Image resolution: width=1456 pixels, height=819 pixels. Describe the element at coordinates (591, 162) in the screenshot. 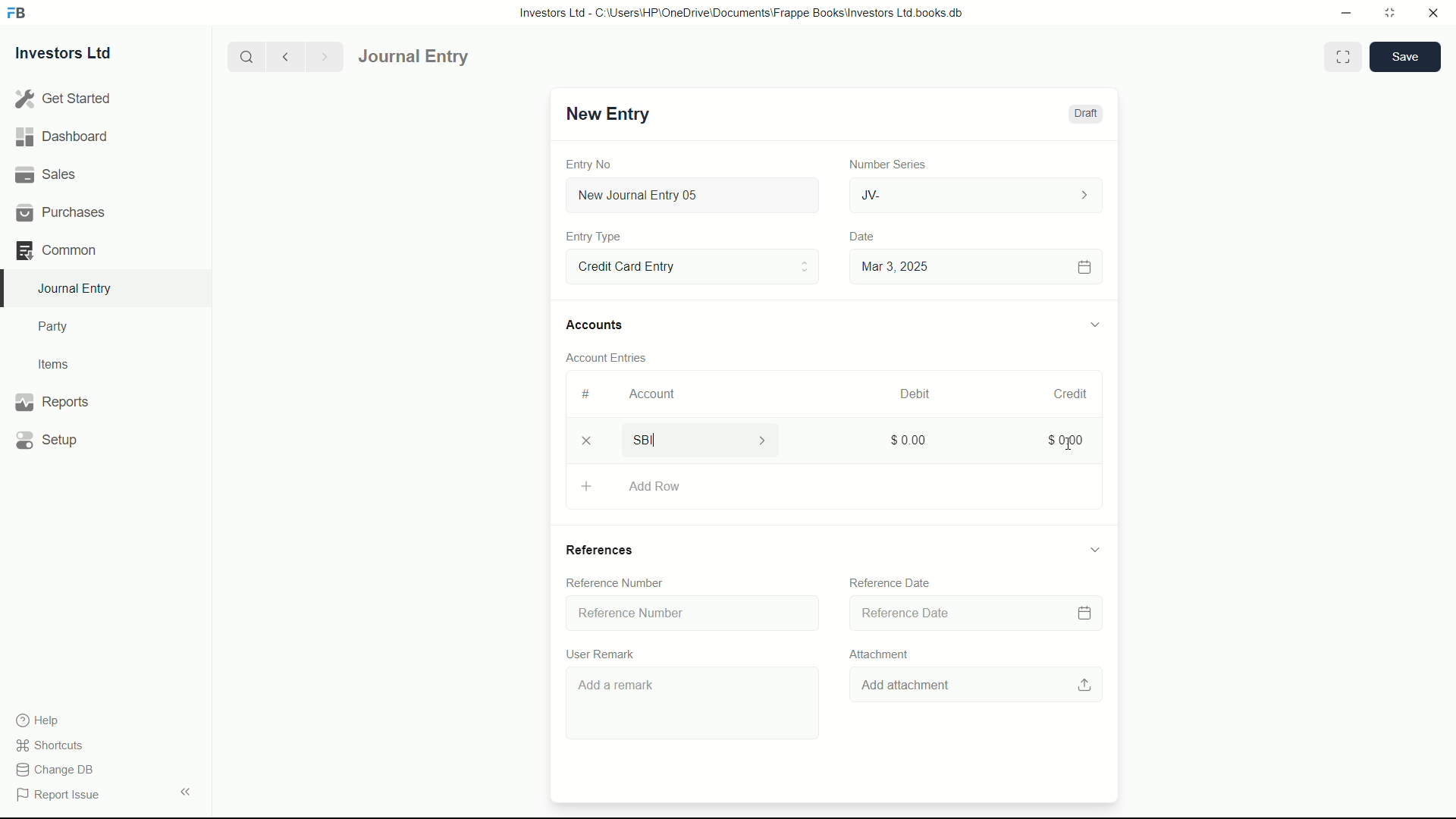

I see `Entry No` at that location.